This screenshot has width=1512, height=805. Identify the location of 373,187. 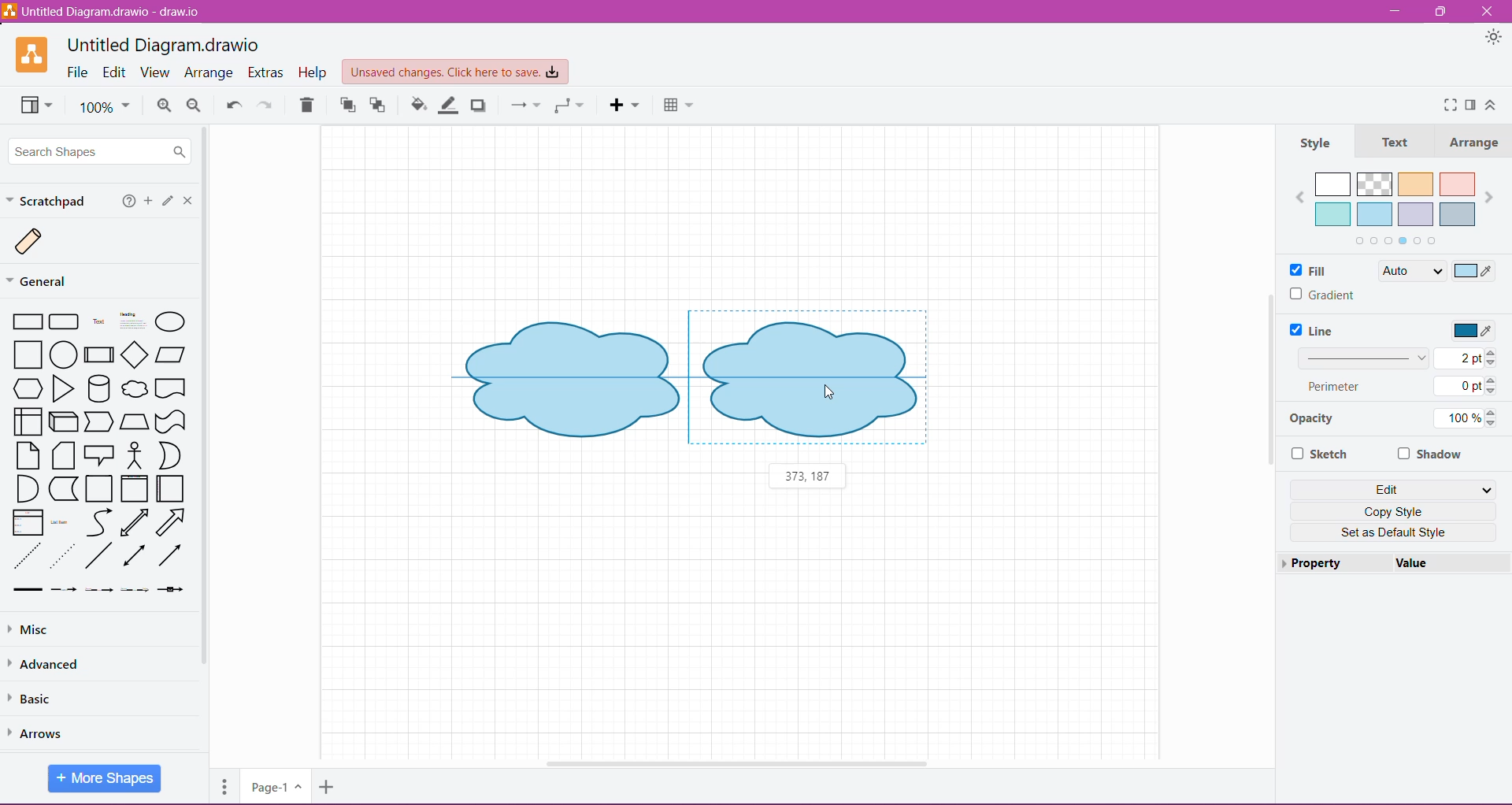
(807, 476).